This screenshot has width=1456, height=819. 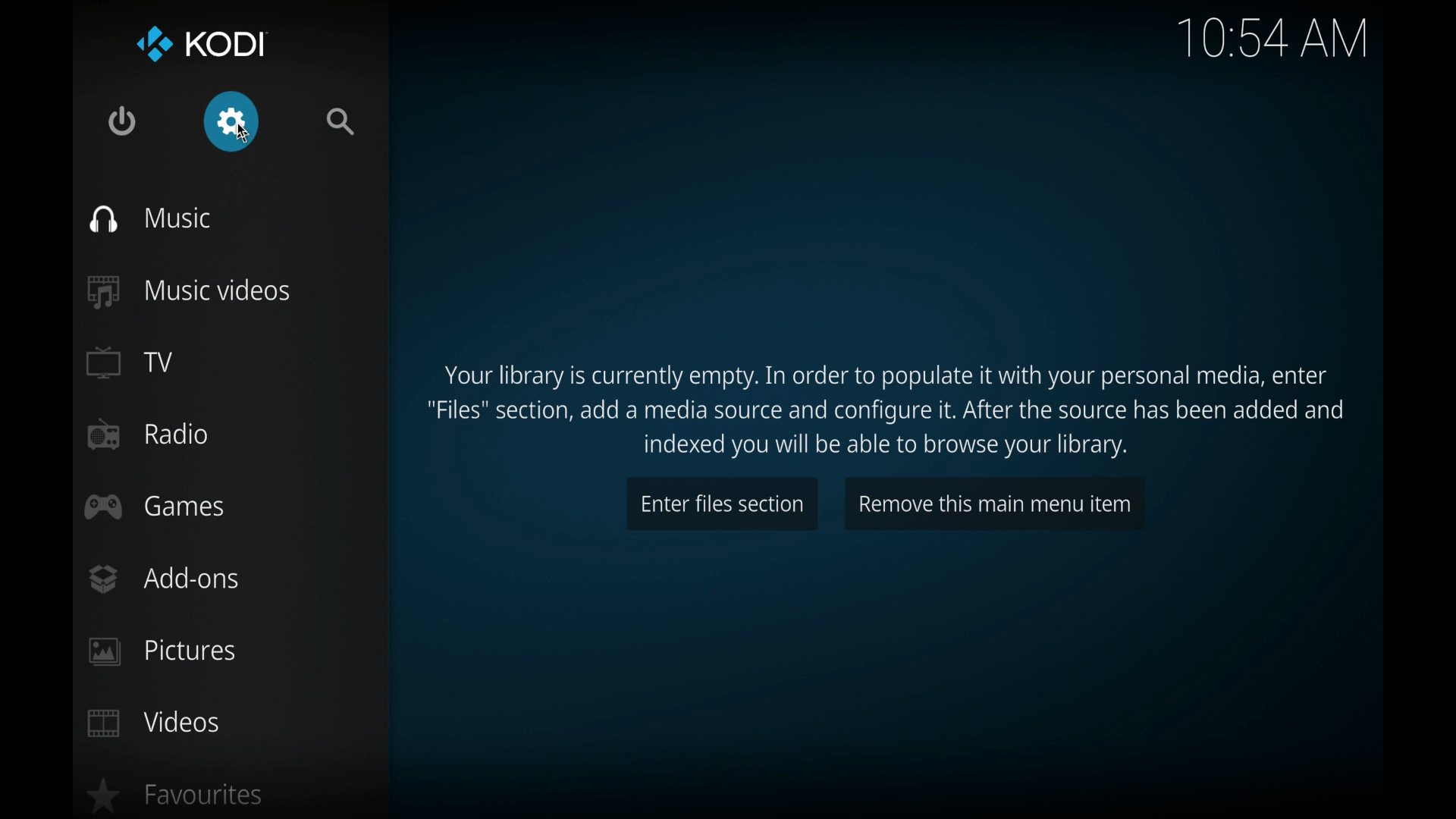 I want to click on music, so click(x=152, y=219).